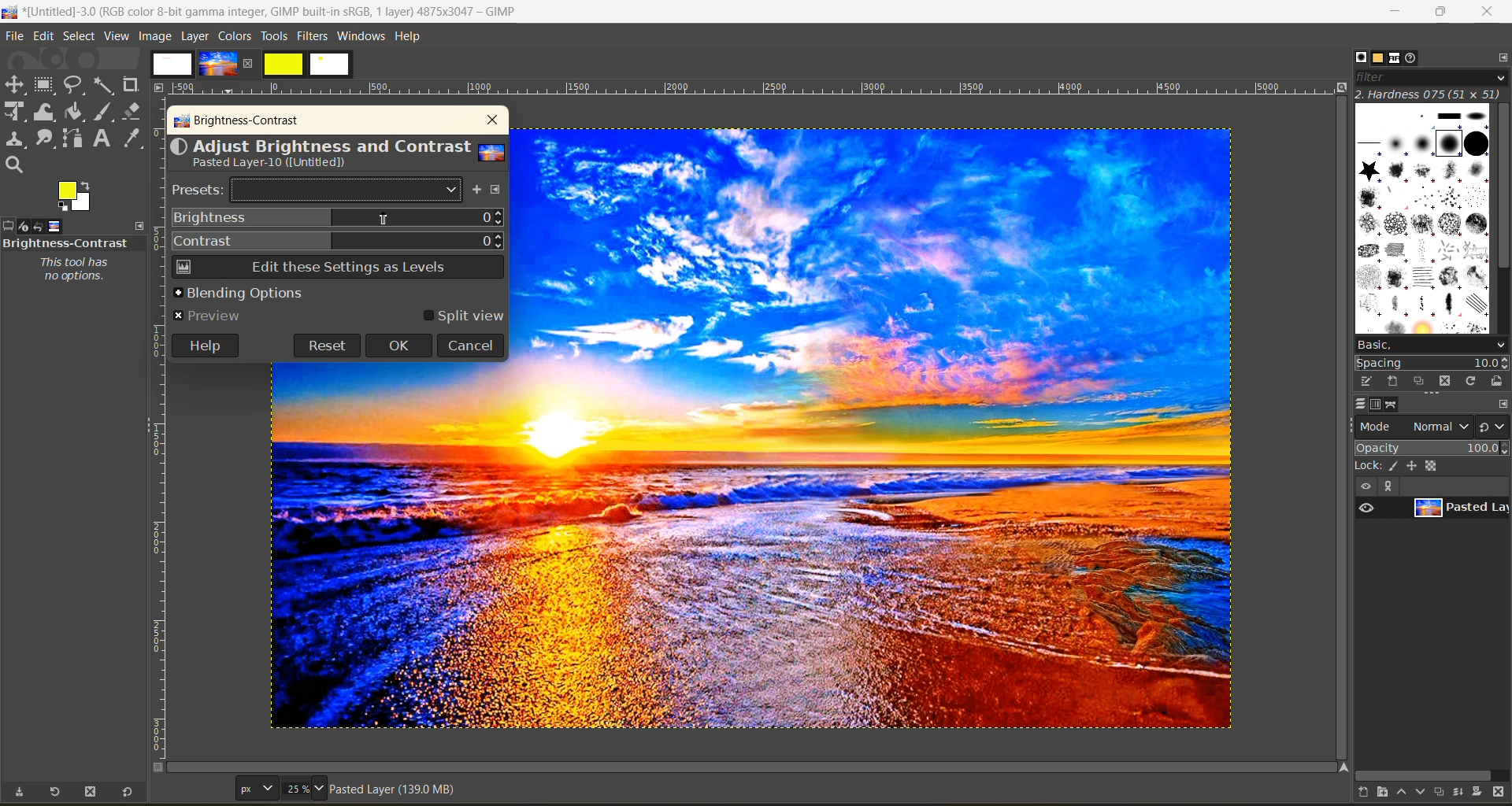 The width and height of the screenshot is (1512, 806). I want to click on merge this layer, so click(1465, 794).